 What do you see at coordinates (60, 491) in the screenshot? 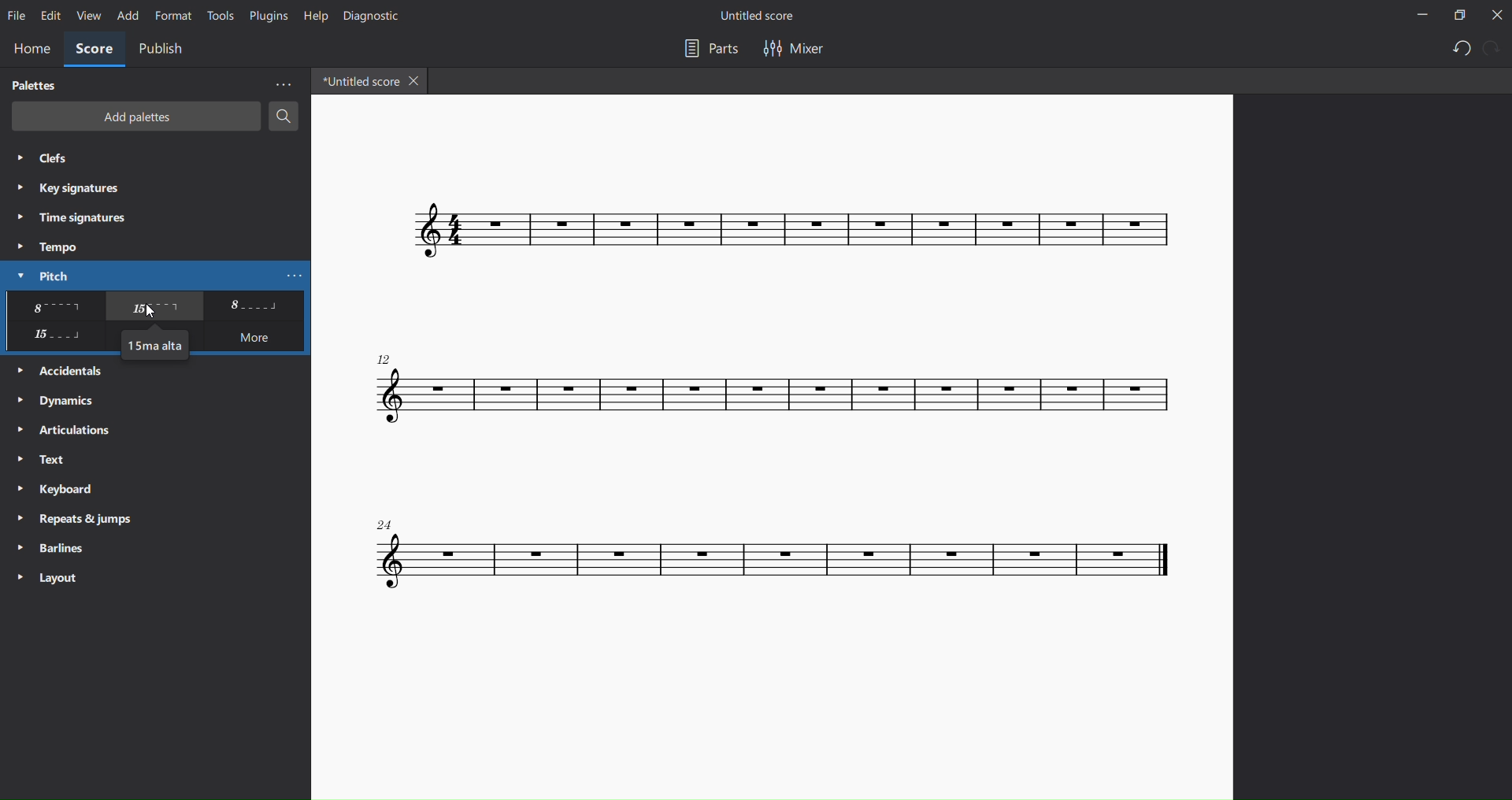
I see `keyboard` at bounding box center [60, 491].